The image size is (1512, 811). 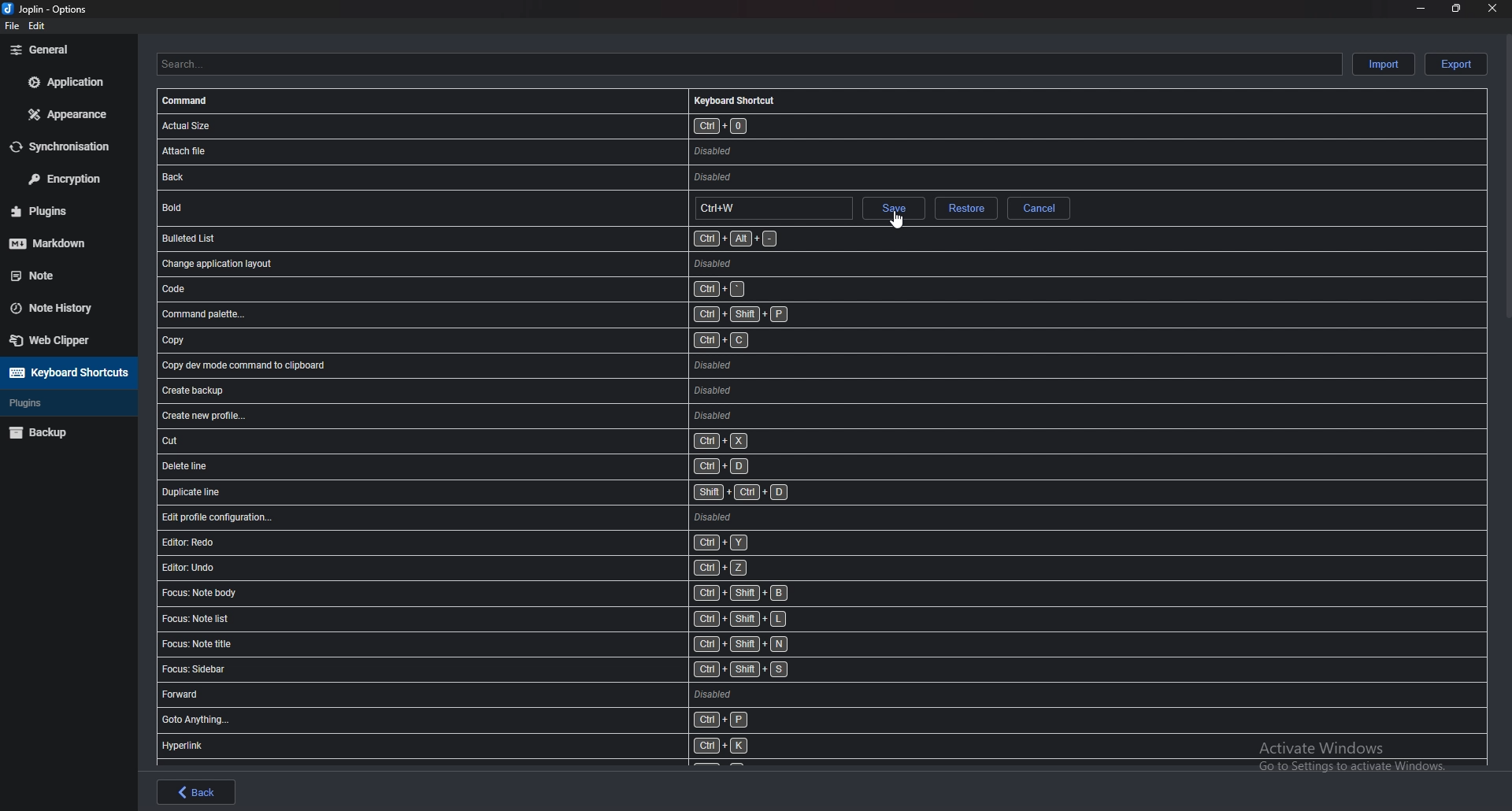 I want to click on Application, so click(x=65, y=82).